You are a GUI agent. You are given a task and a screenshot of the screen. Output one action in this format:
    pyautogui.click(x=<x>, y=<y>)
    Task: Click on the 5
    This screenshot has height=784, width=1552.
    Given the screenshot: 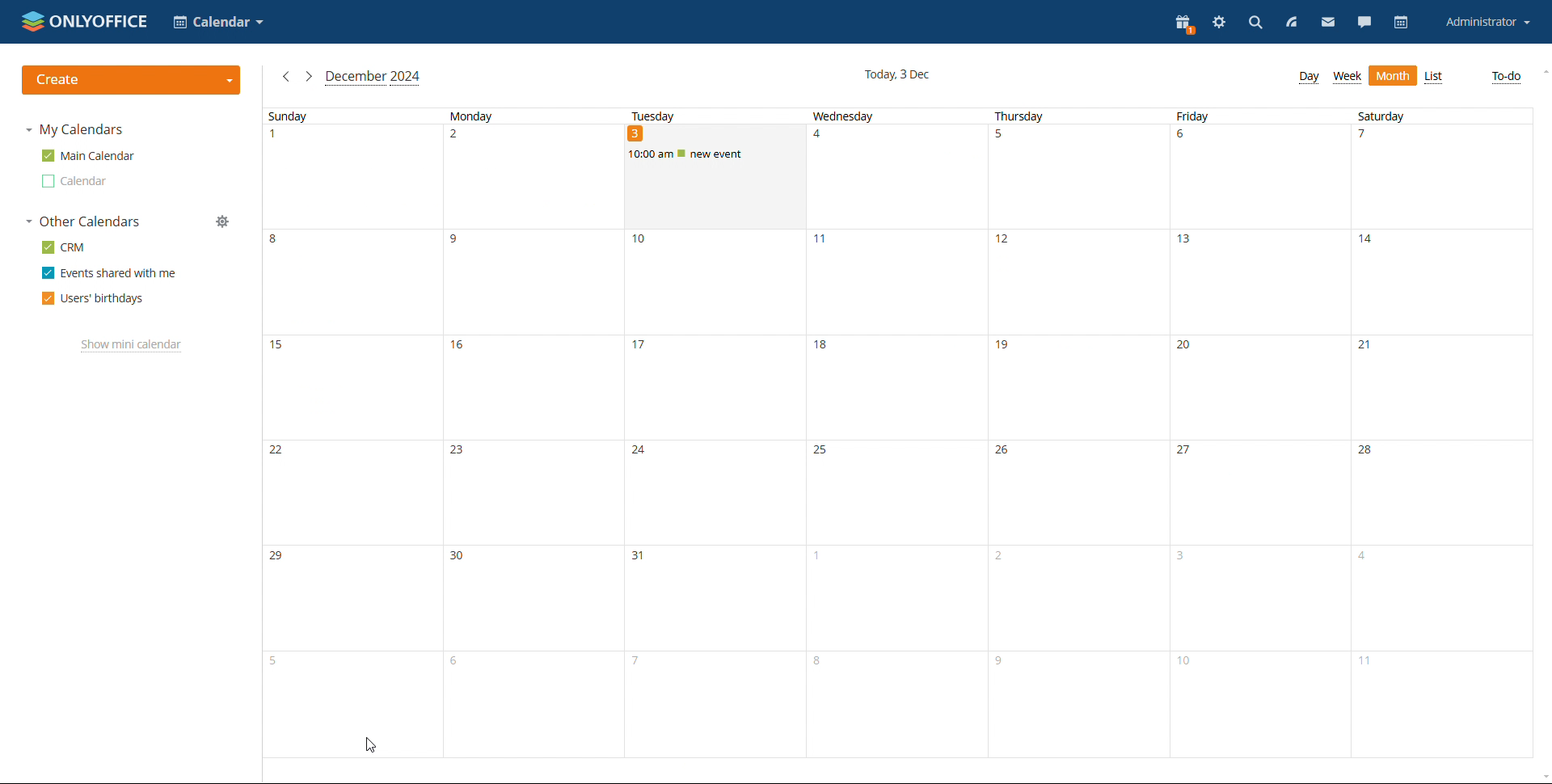 What is the action you would take?
    pyautogui.click(x=1076, y=177)
    